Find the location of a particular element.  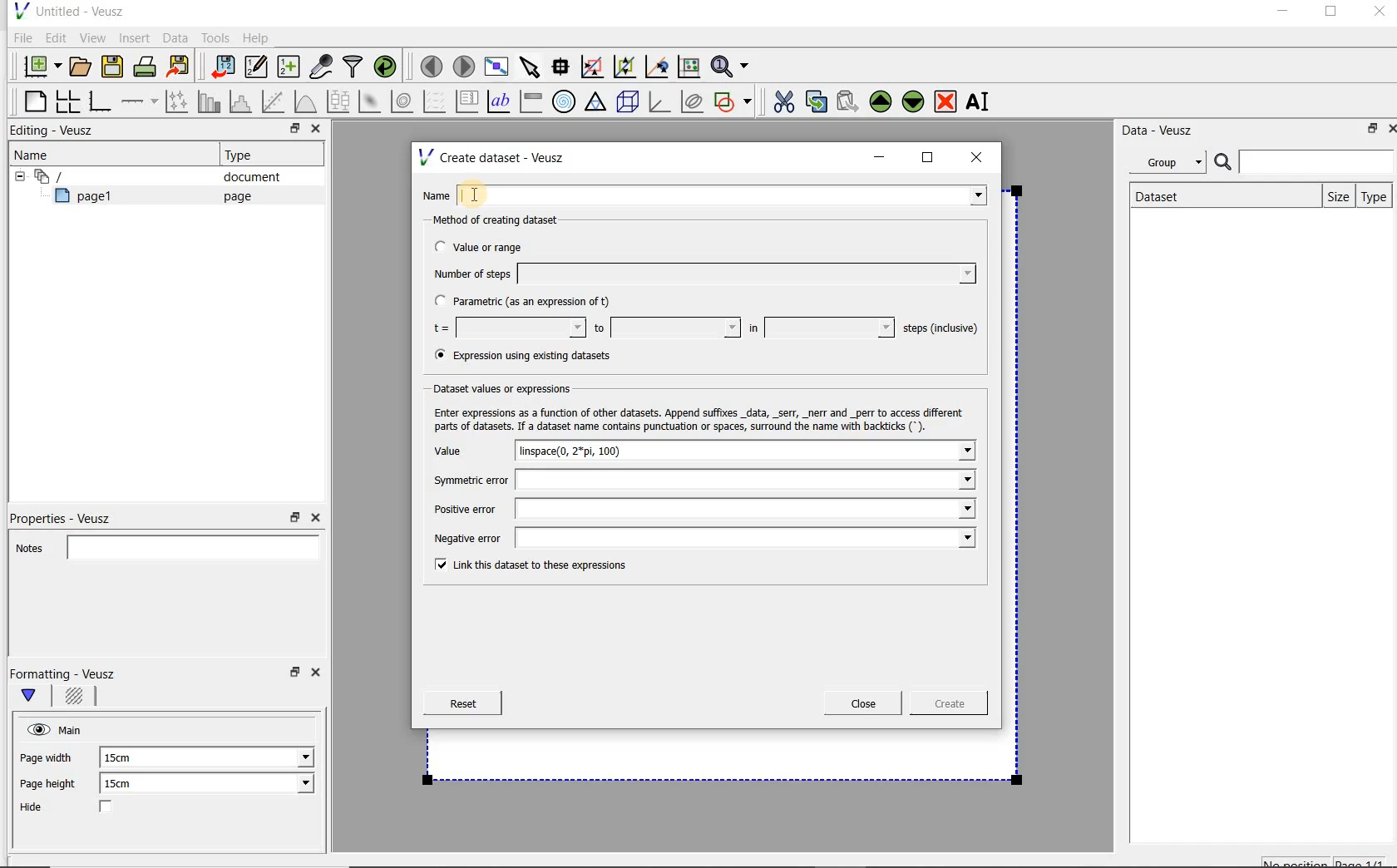

page1 is located at coordinates (91, 199).